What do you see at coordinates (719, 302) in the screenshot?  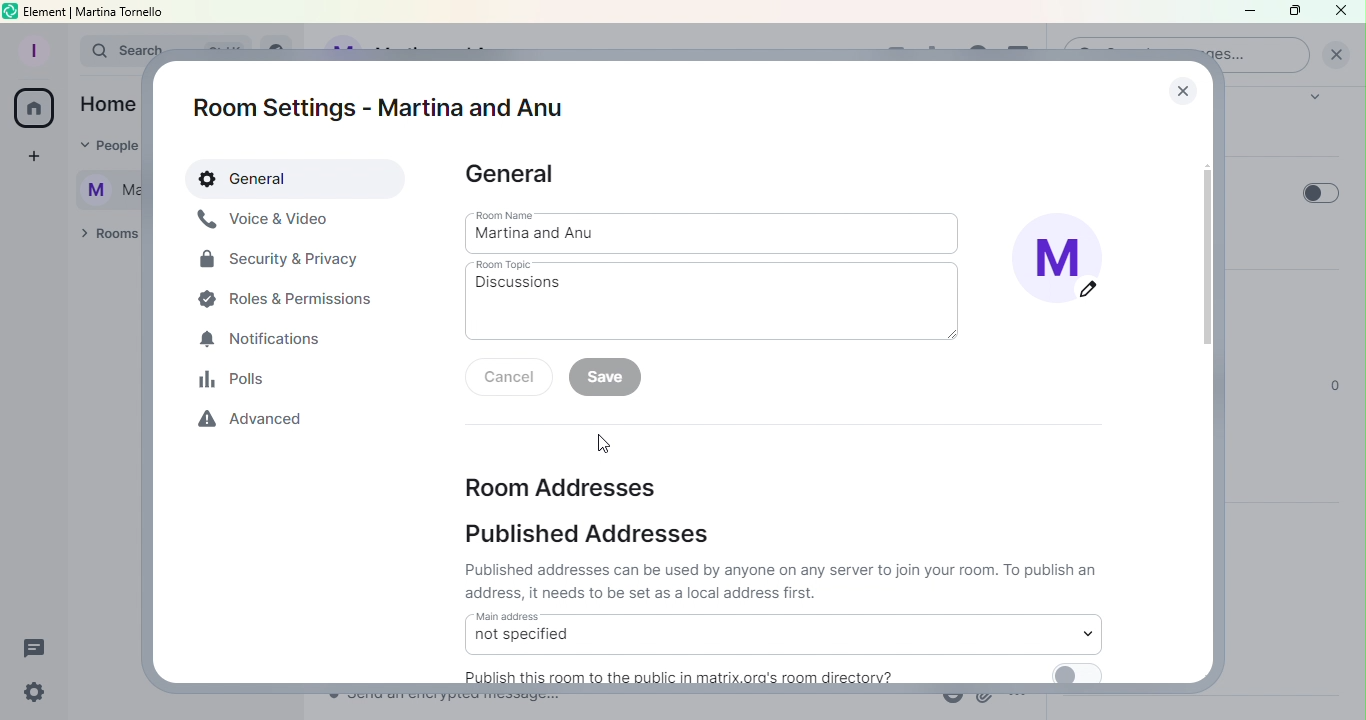 I see `Room topic` at bounding box center [719, 302].